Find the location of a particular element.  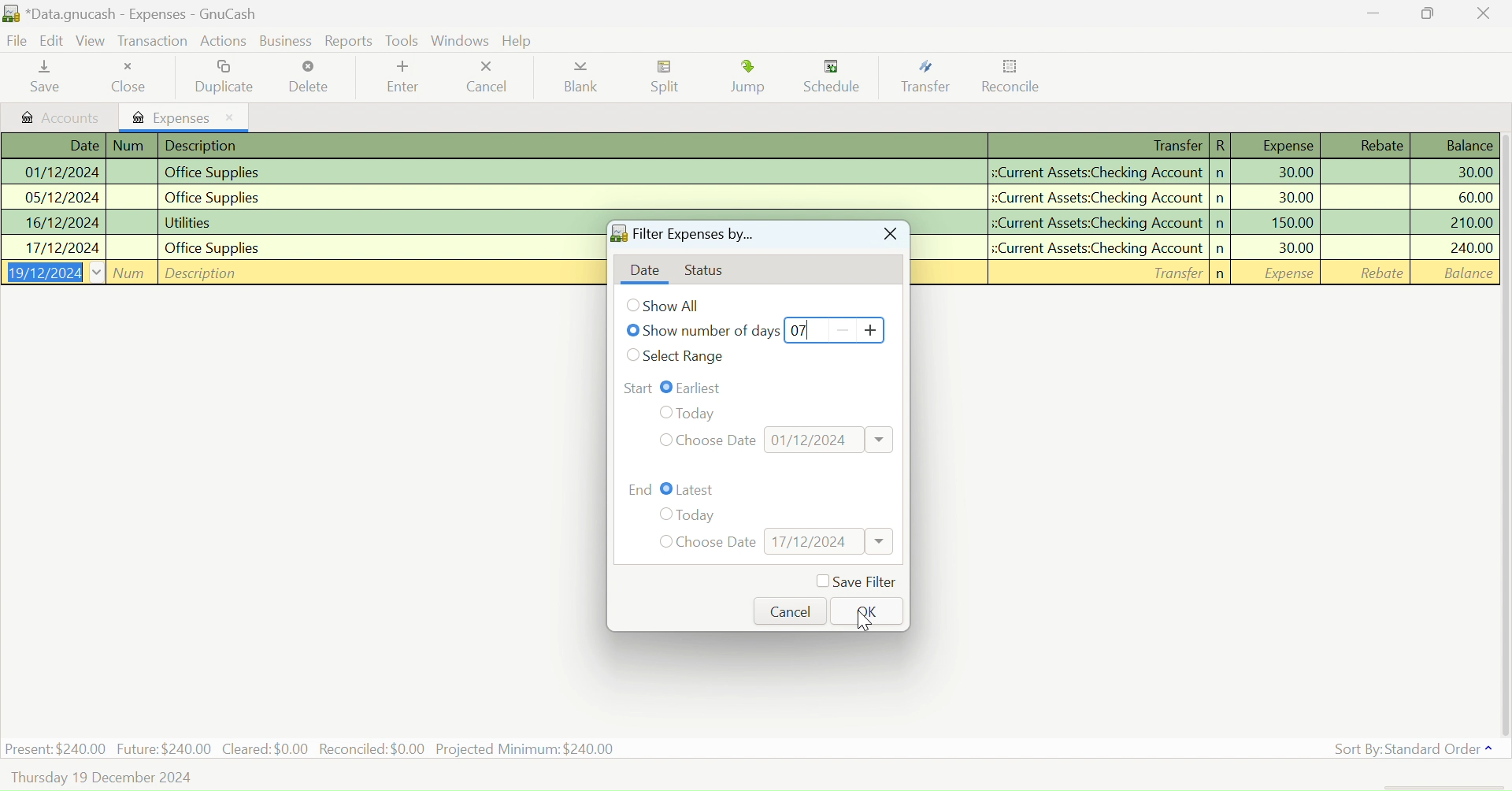

Checkbox is located at coordinates (663, 514).